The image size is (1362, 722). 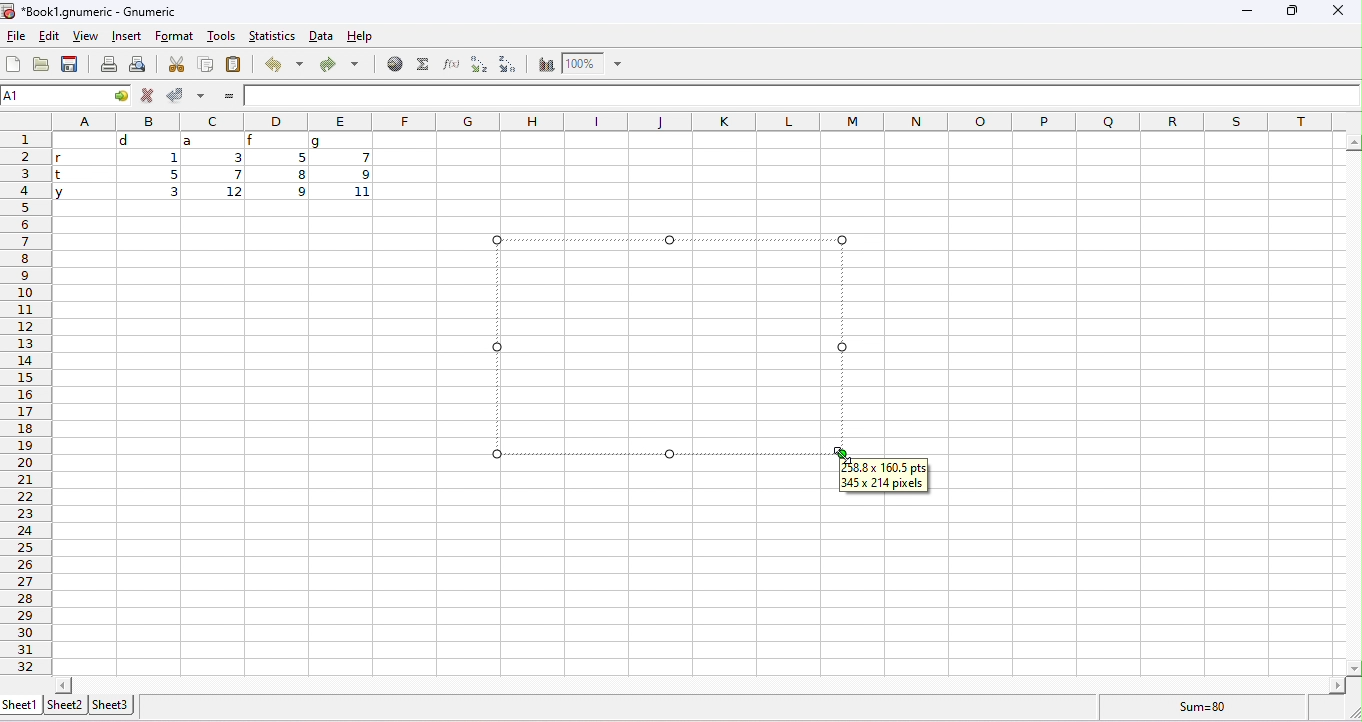 I want to click on redo, so click(x=339, y=63).